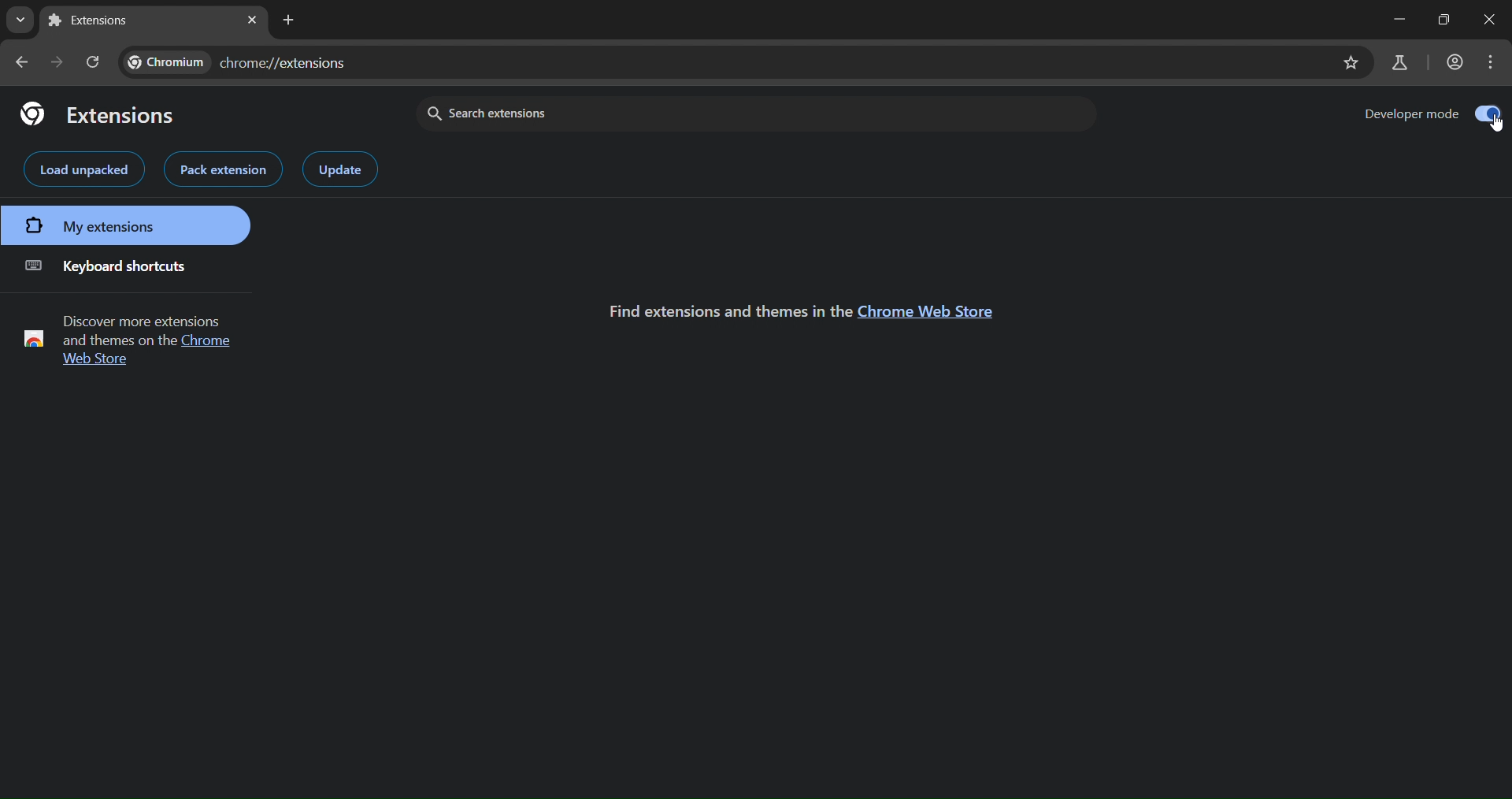 The image size is (1512, 799). I want to click on minimize, so click(1391, 17).